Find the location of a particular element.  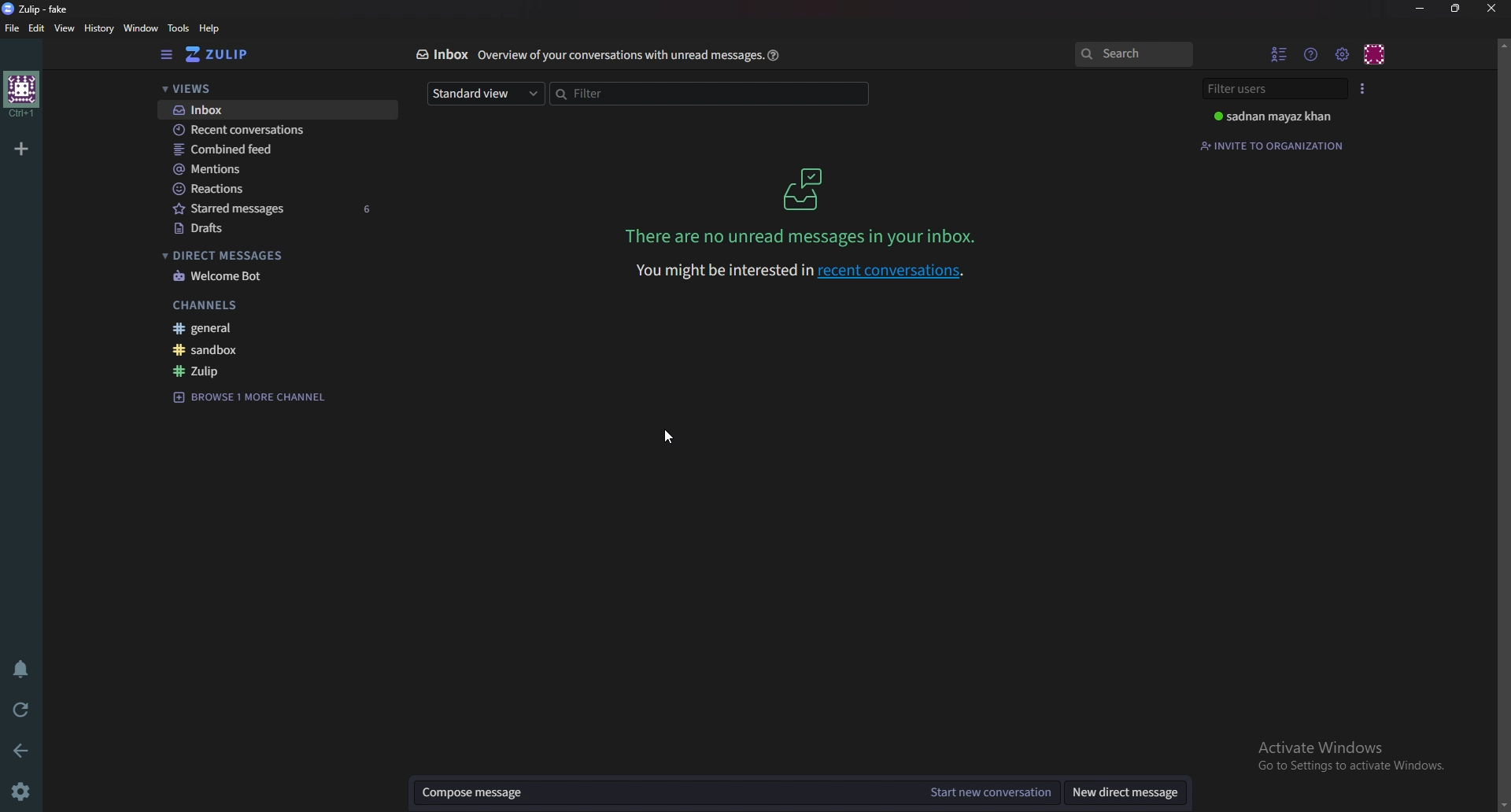

Recent conversations is located at coordinates (275, 132).